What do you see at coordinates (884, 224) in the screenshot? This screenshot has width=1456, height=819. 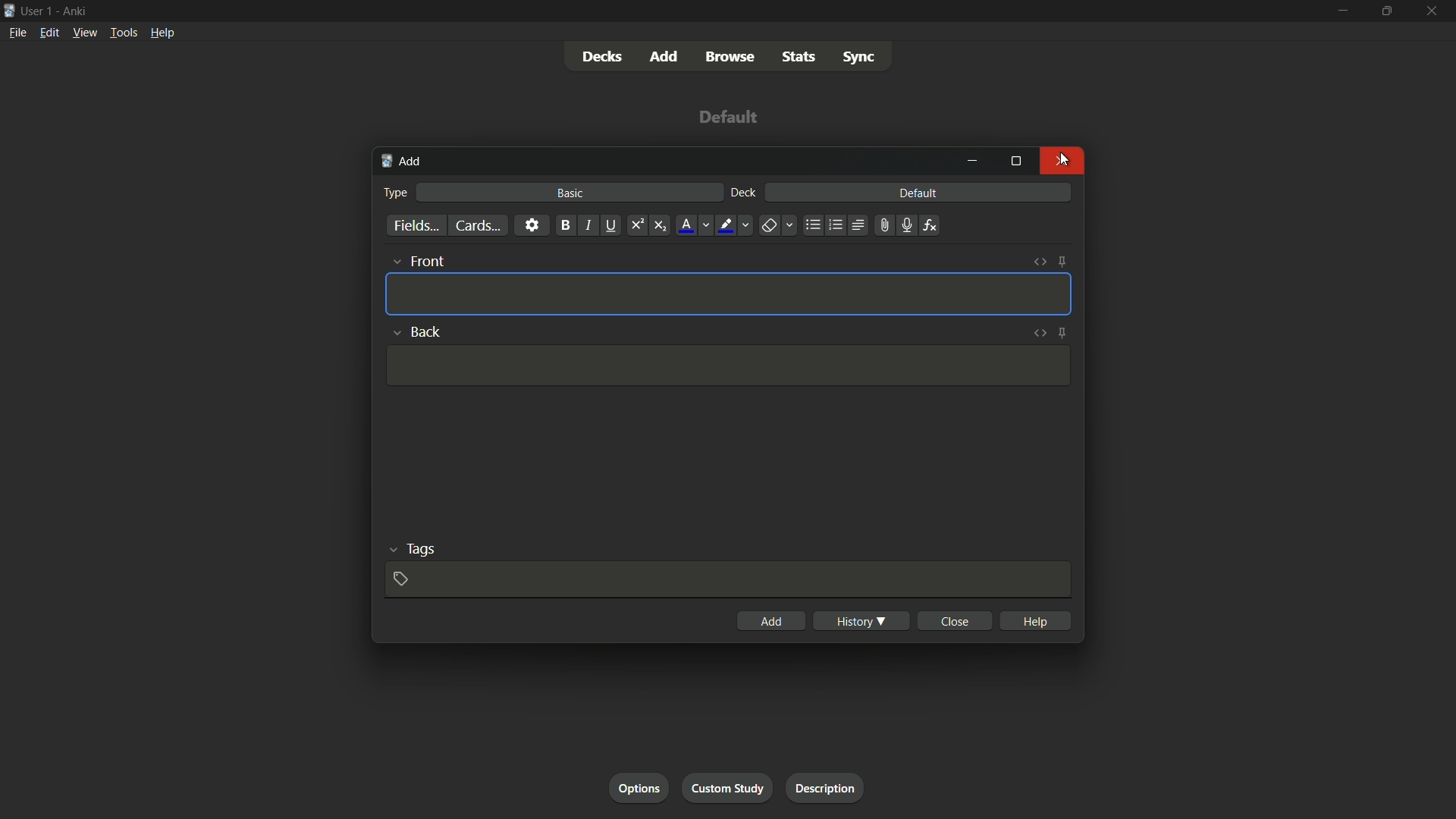 I see `attachment` at bounding box center [884, 224].